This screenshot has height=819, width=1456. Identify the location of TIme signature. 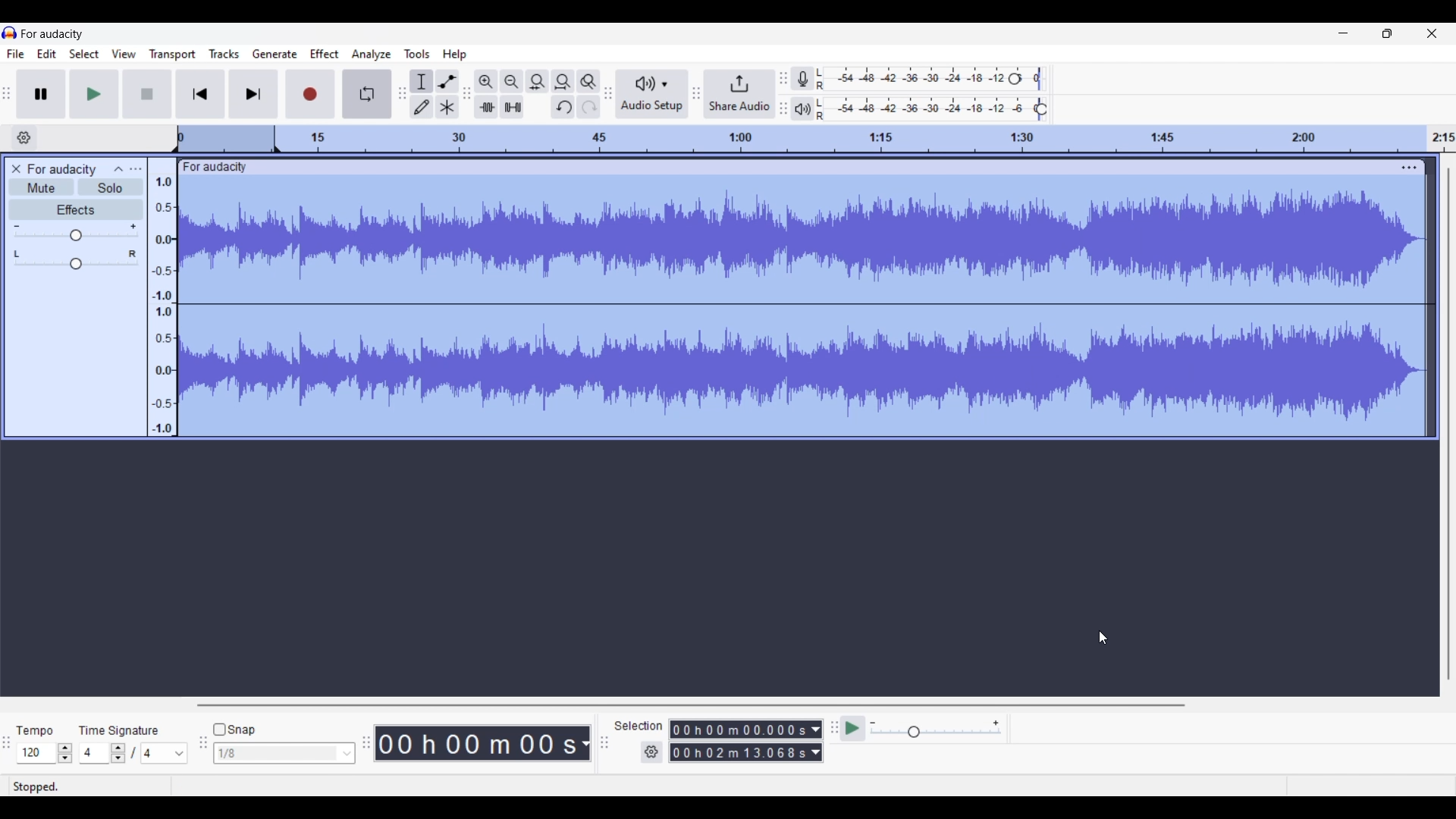
(120, 729).